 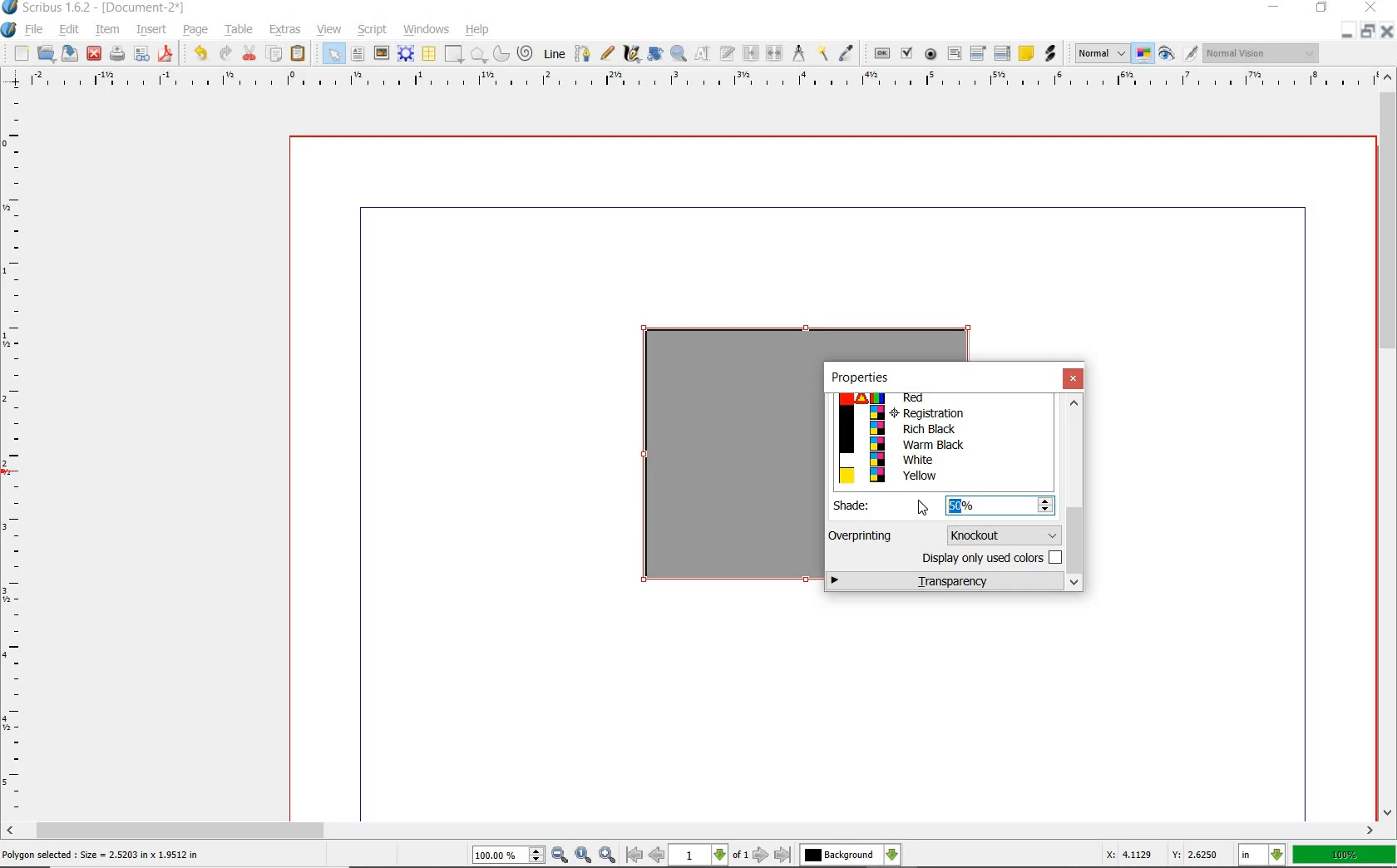 What do you see at coordinates (701, 54) in the screenshot?
I see `edit content of frame` at bounding box center [701, 54].